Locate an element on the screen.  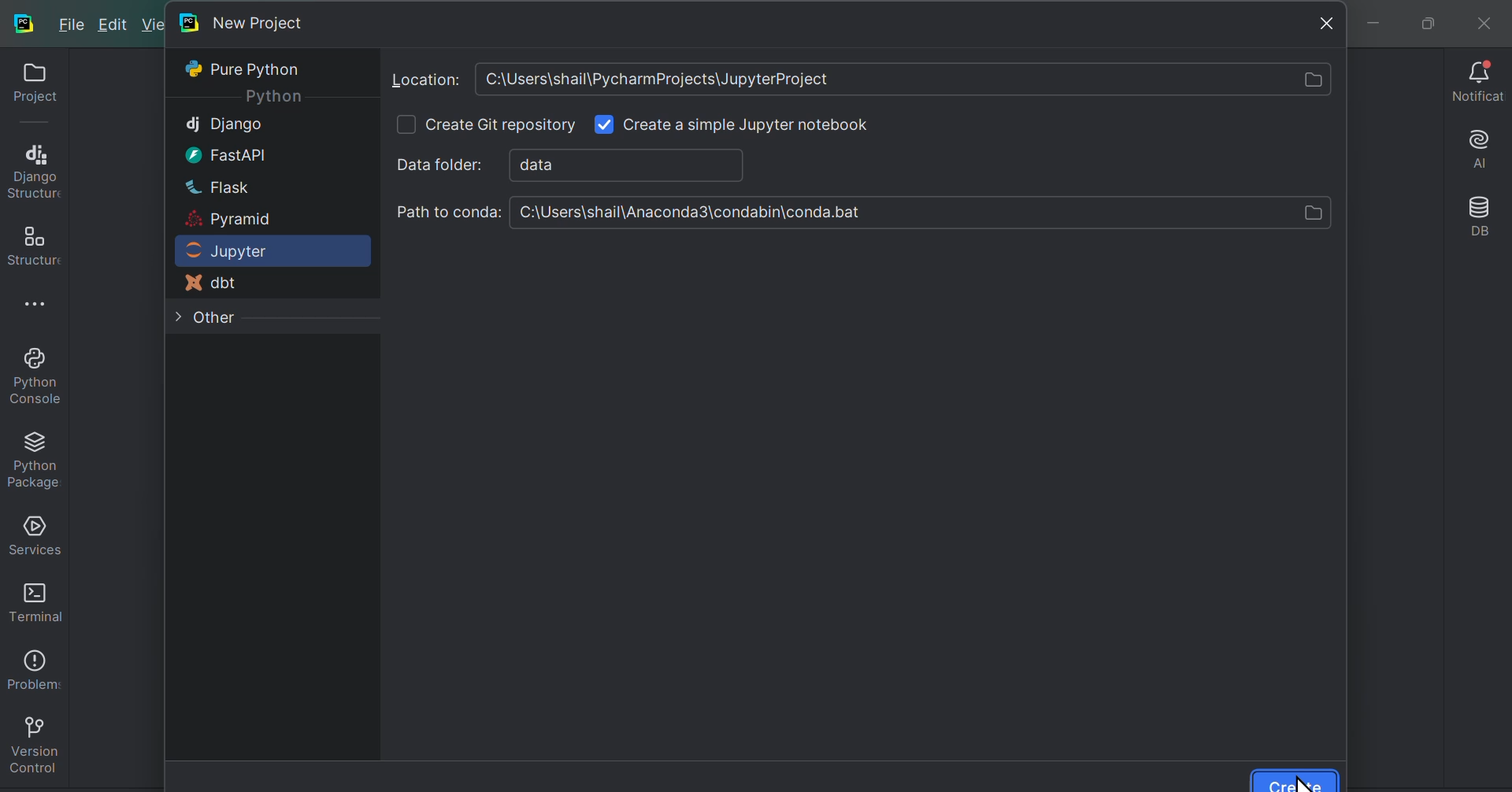
Jupiter is located at coordinates (247, 250).